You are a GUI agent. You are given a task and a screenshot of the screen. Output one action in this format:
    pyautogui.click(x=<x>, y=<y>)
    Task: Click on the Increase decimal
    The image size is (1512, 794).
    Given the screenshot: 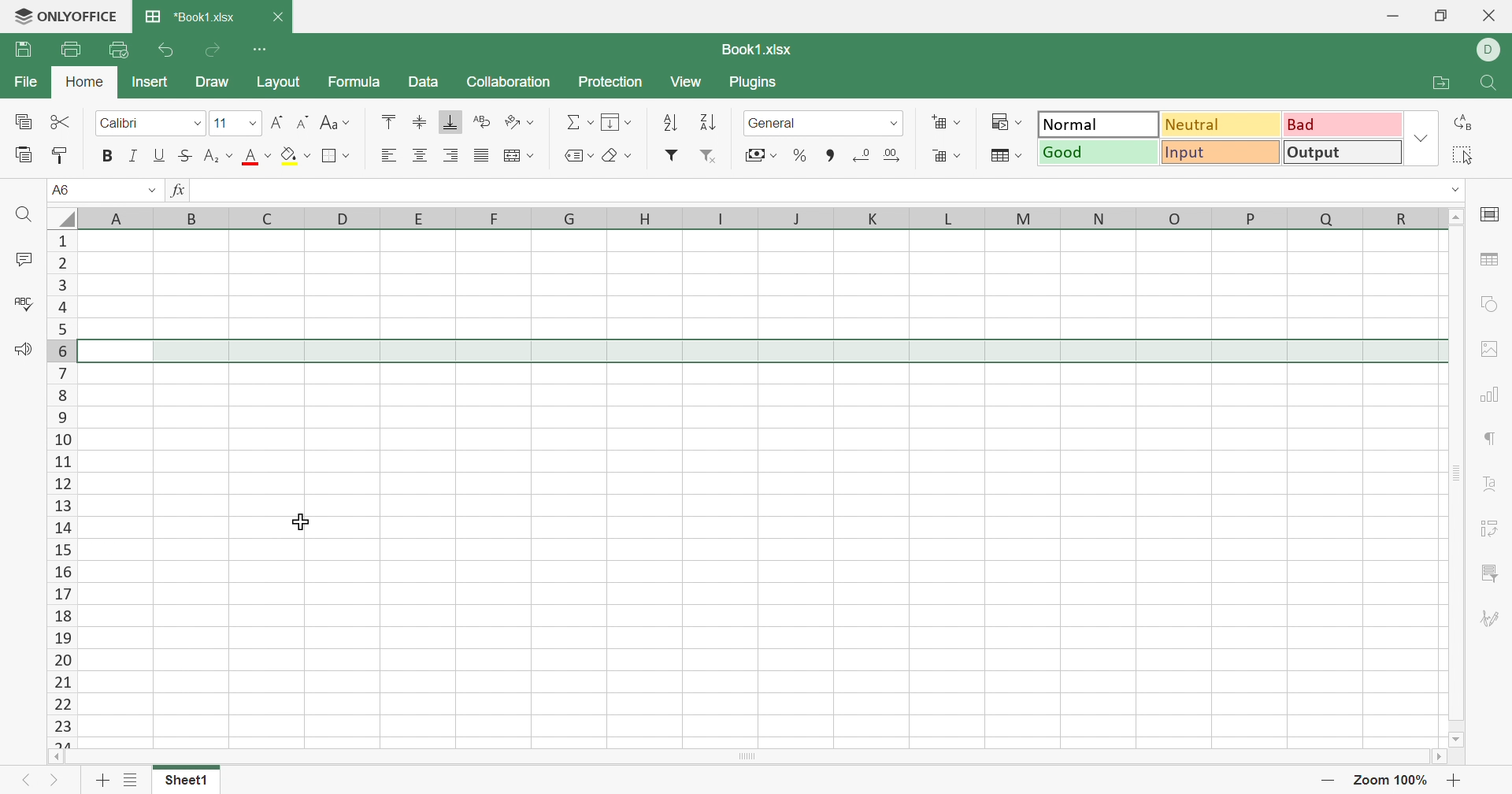 What is the action you would take?
    pyautogui.click(x=891, y=155)
    